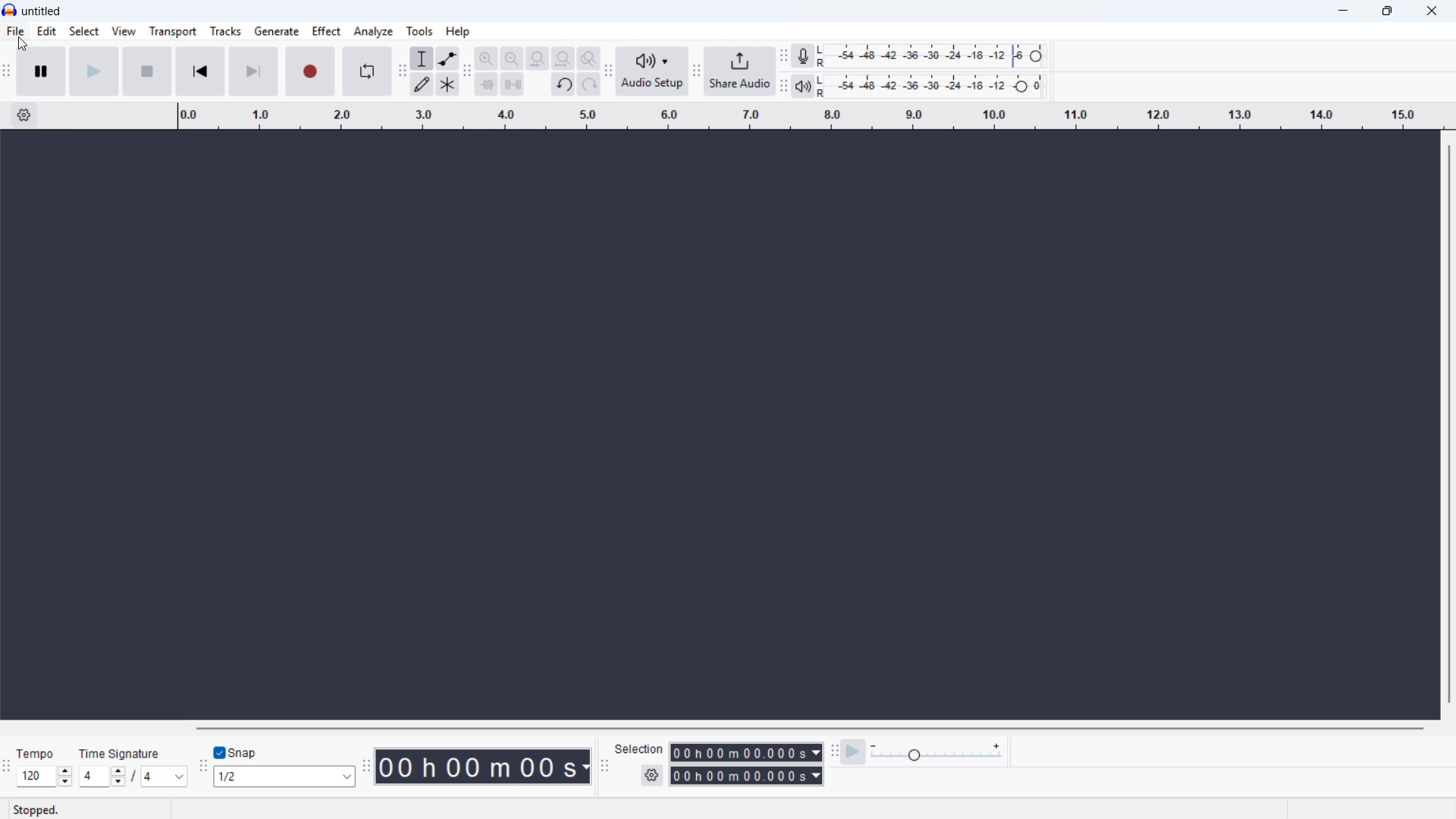 Image resolution: width=1456 pixels, height=819 pixels. What do you see at coordinates (640, 749) in the screenshot?
I see `Selection` at bounding box center [640, 749].